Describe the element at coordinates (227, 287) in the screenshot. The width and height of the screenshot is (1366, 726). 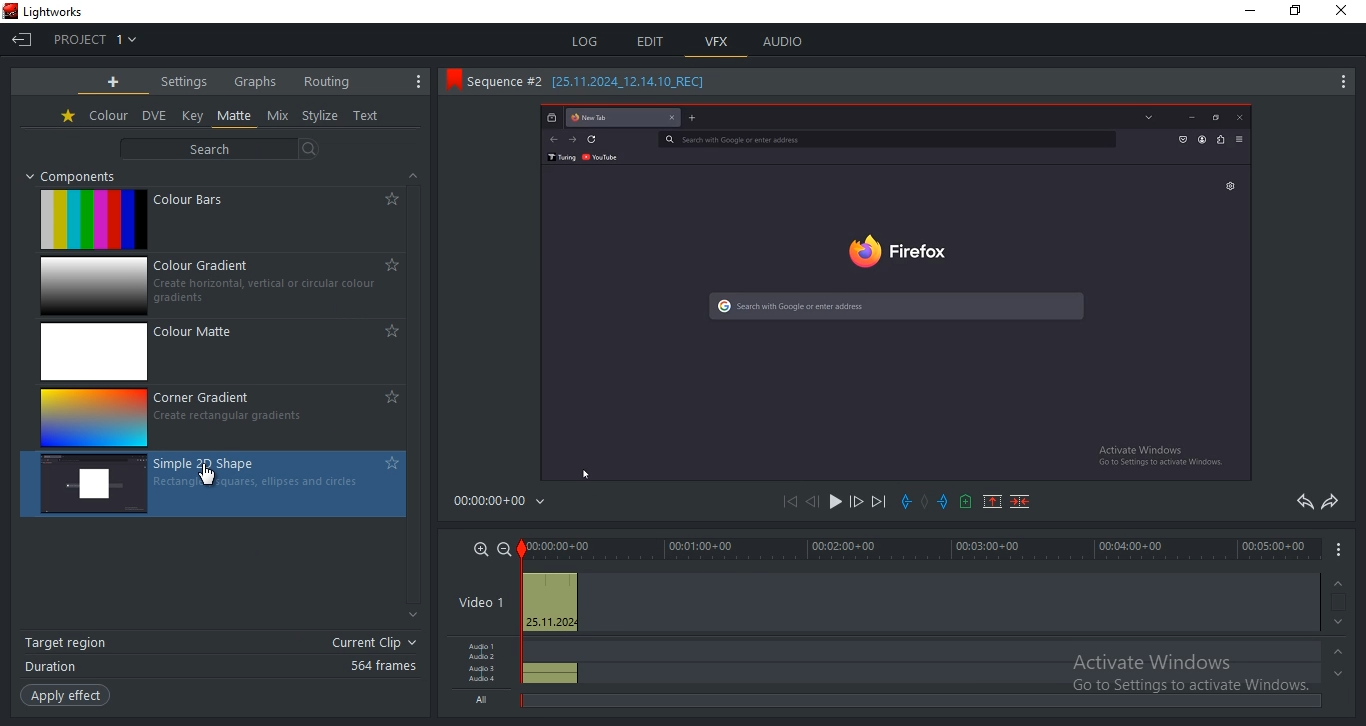
I see `colour gradient` at that location.